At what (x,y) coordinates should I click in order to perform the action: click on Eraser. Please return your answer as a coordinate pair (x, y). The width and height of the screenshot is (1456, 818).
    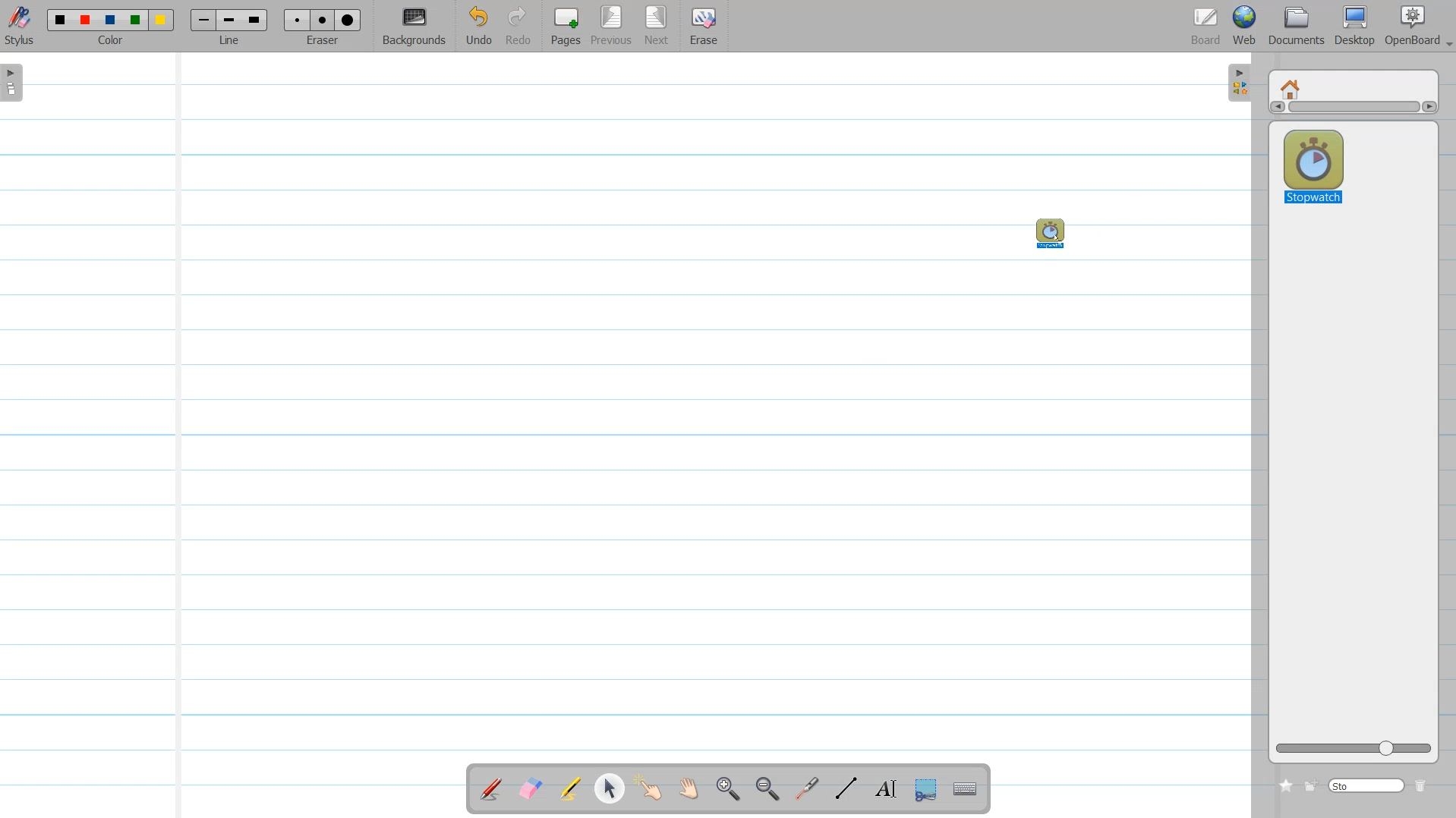
    Looking at the image, I should click on (323, 27).